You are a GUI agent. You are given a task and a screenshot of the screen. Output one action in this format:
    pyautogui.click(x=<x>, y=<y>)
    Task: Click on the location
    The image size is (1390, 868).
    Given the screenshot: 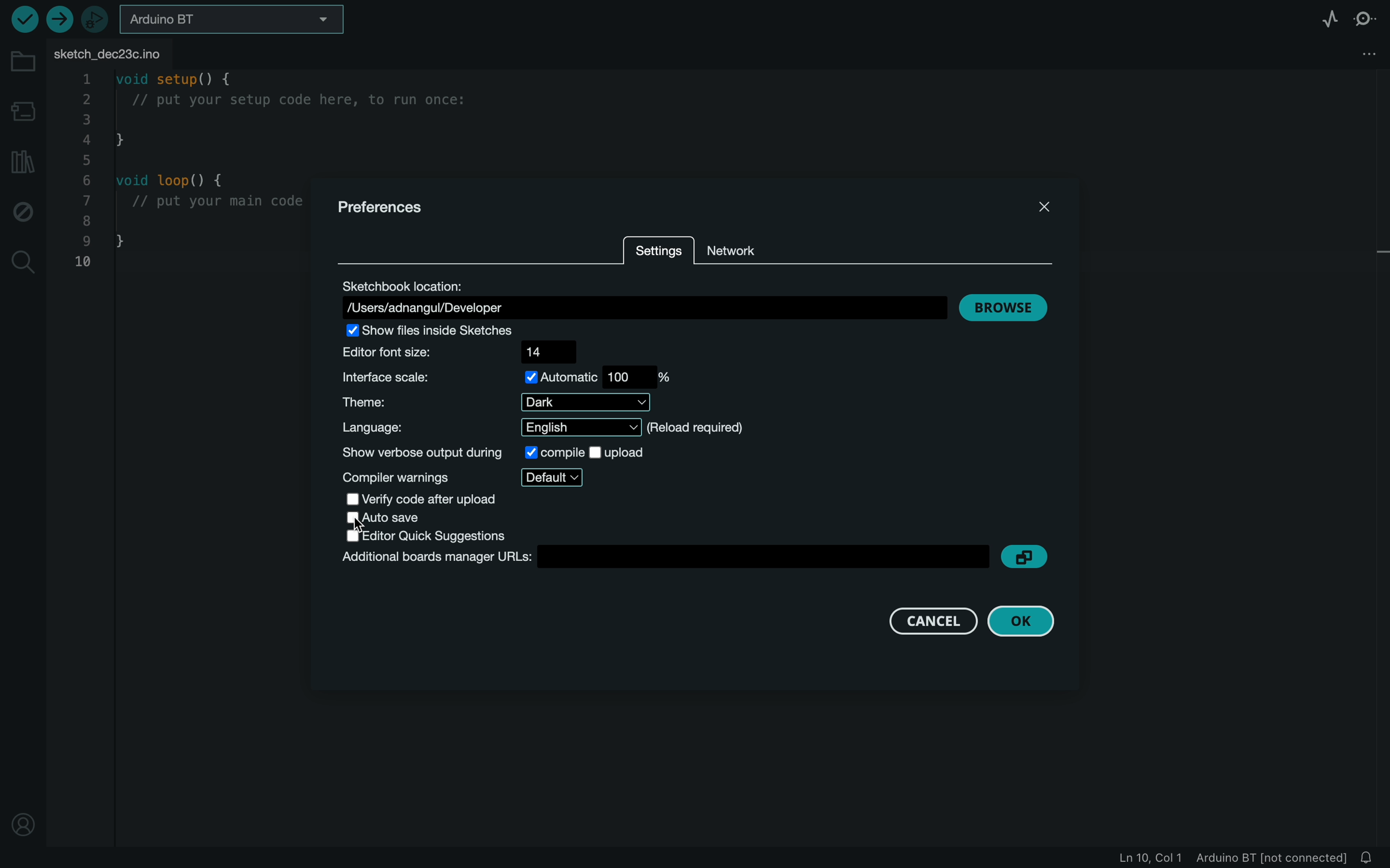 What is the action you would take?
    pyautogui.click(x=642, y=300)
    